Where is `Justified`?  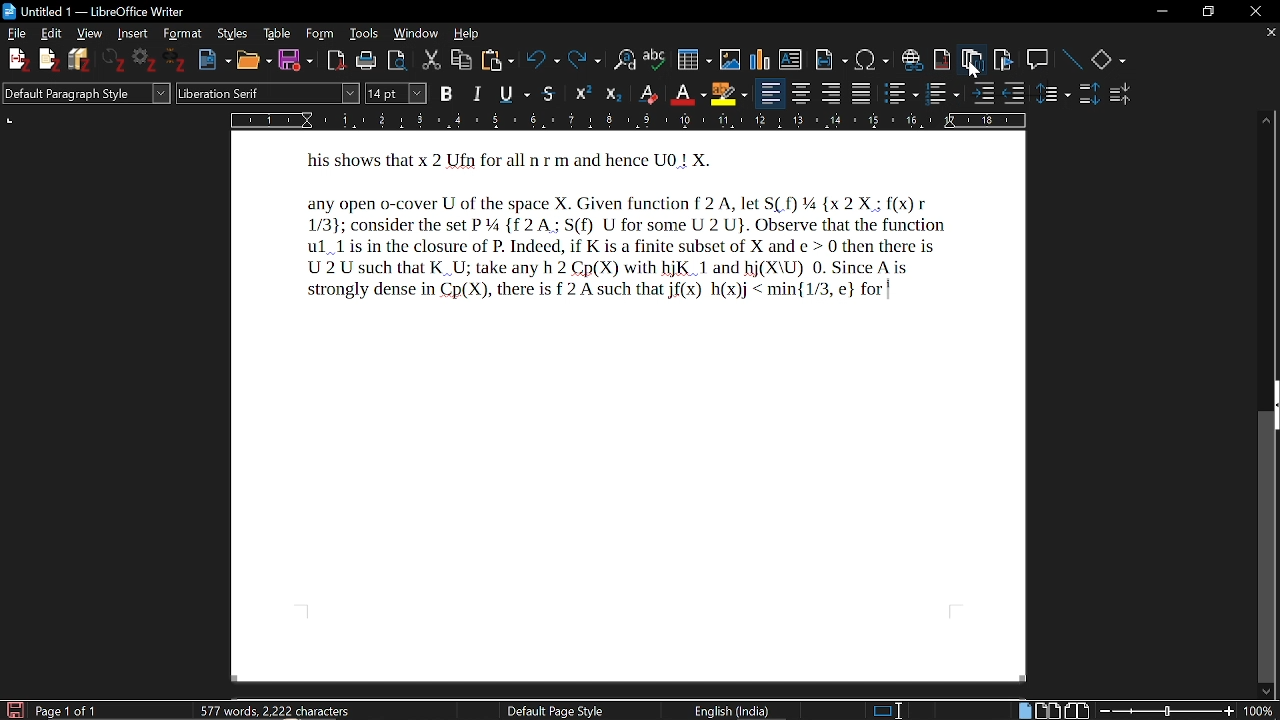
Justified is located at coordinates (864, 93).